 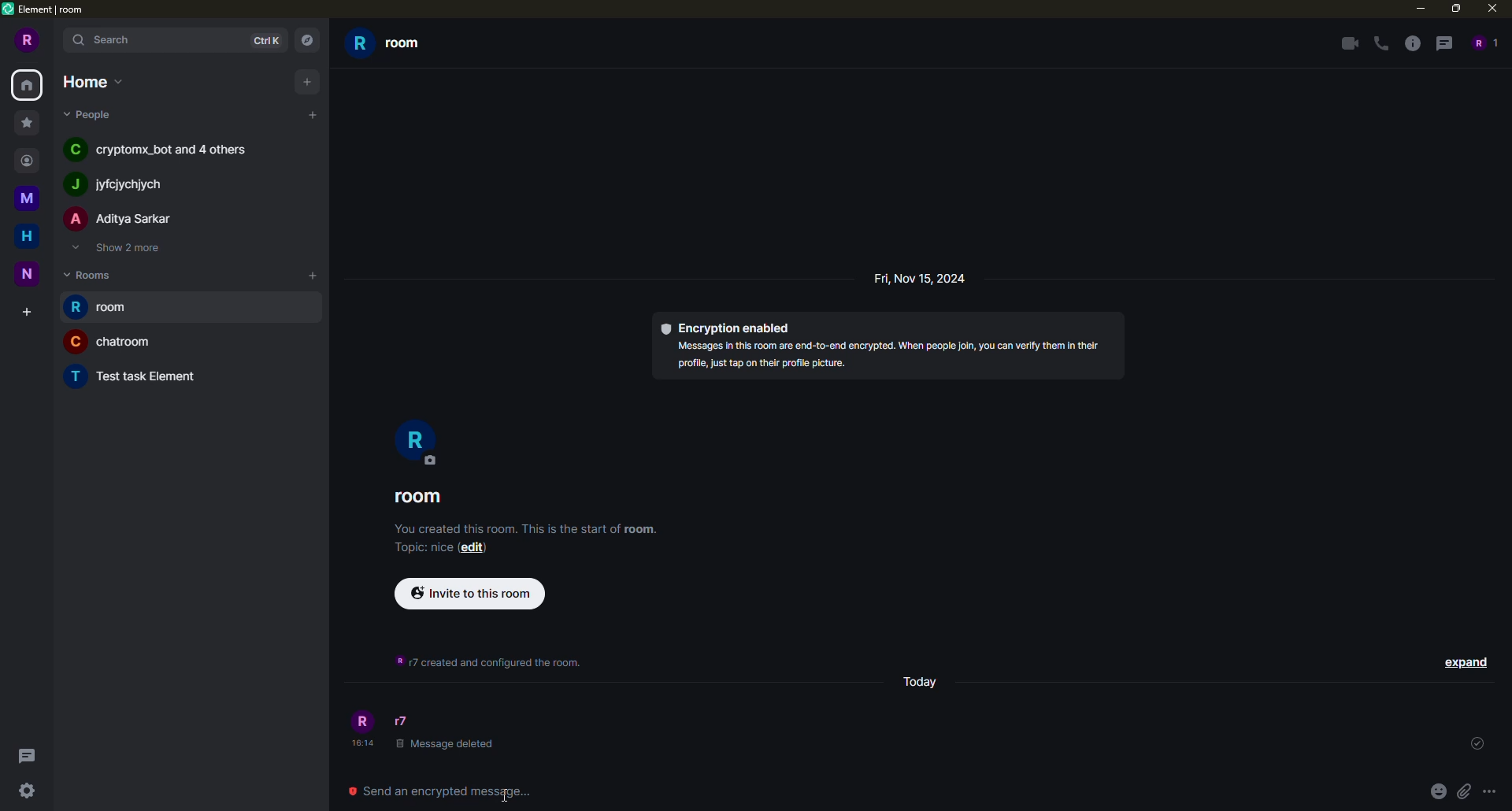 What do you see at coordinates (22, 310) in the screenshot?
I see `create space` at bounding box center [22, 310].